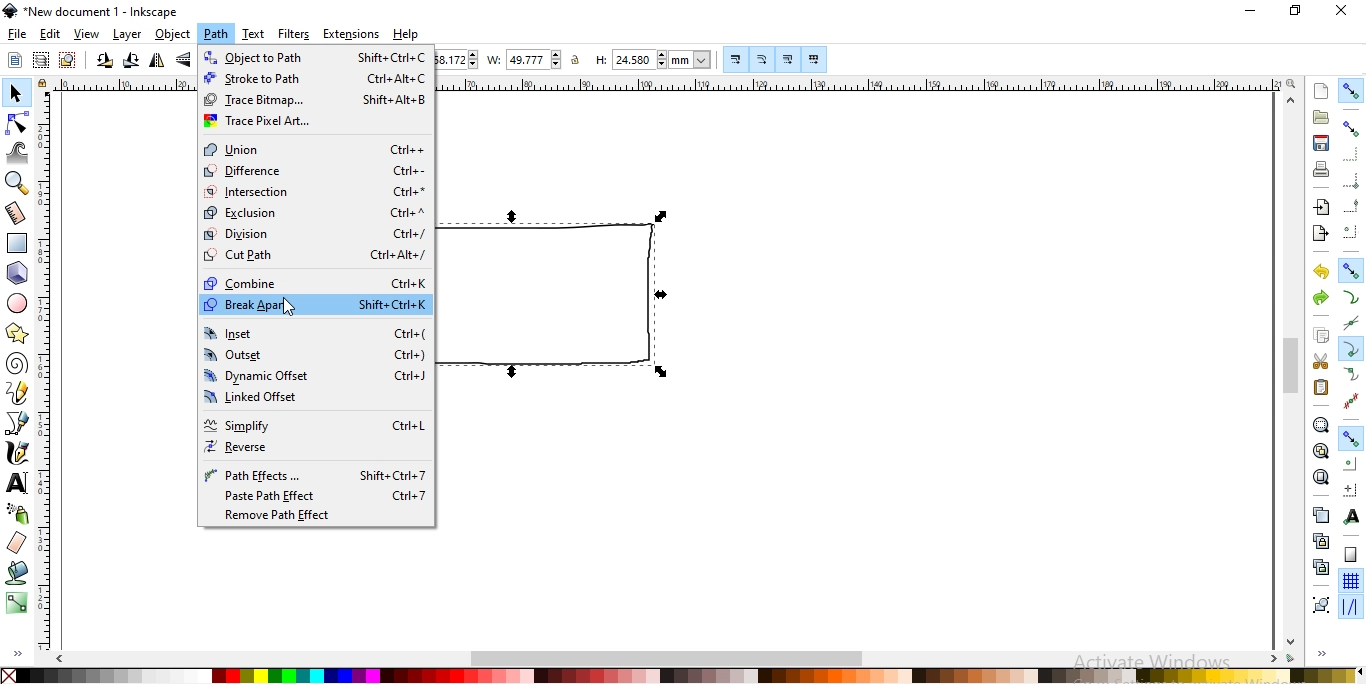  What do you see at coordinates (312, 476) in the screenshot?
I see `path effects` at bounding box center [312, 476].